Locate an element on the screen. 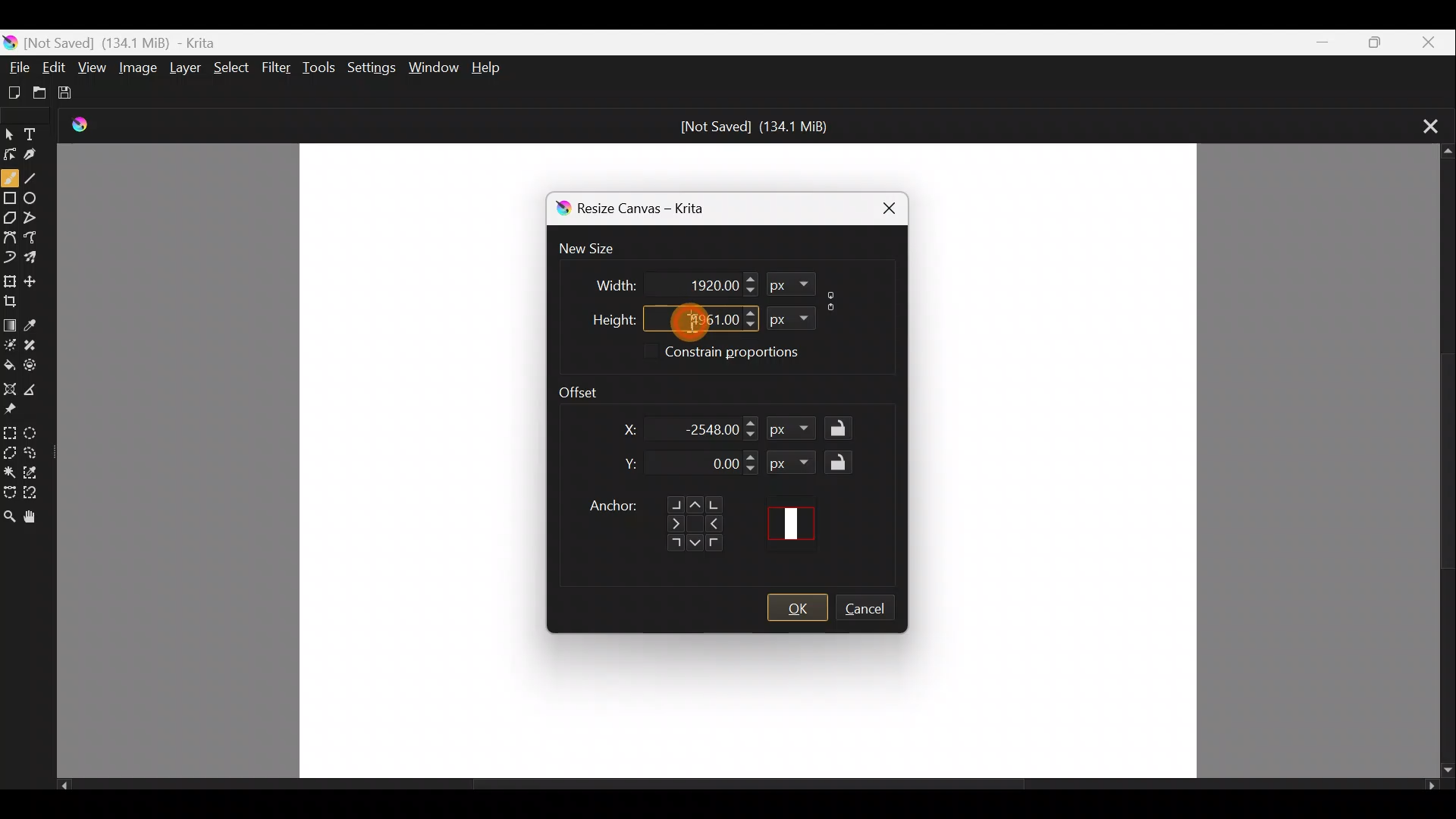  Decrease width is located at coordinates (749, 290).